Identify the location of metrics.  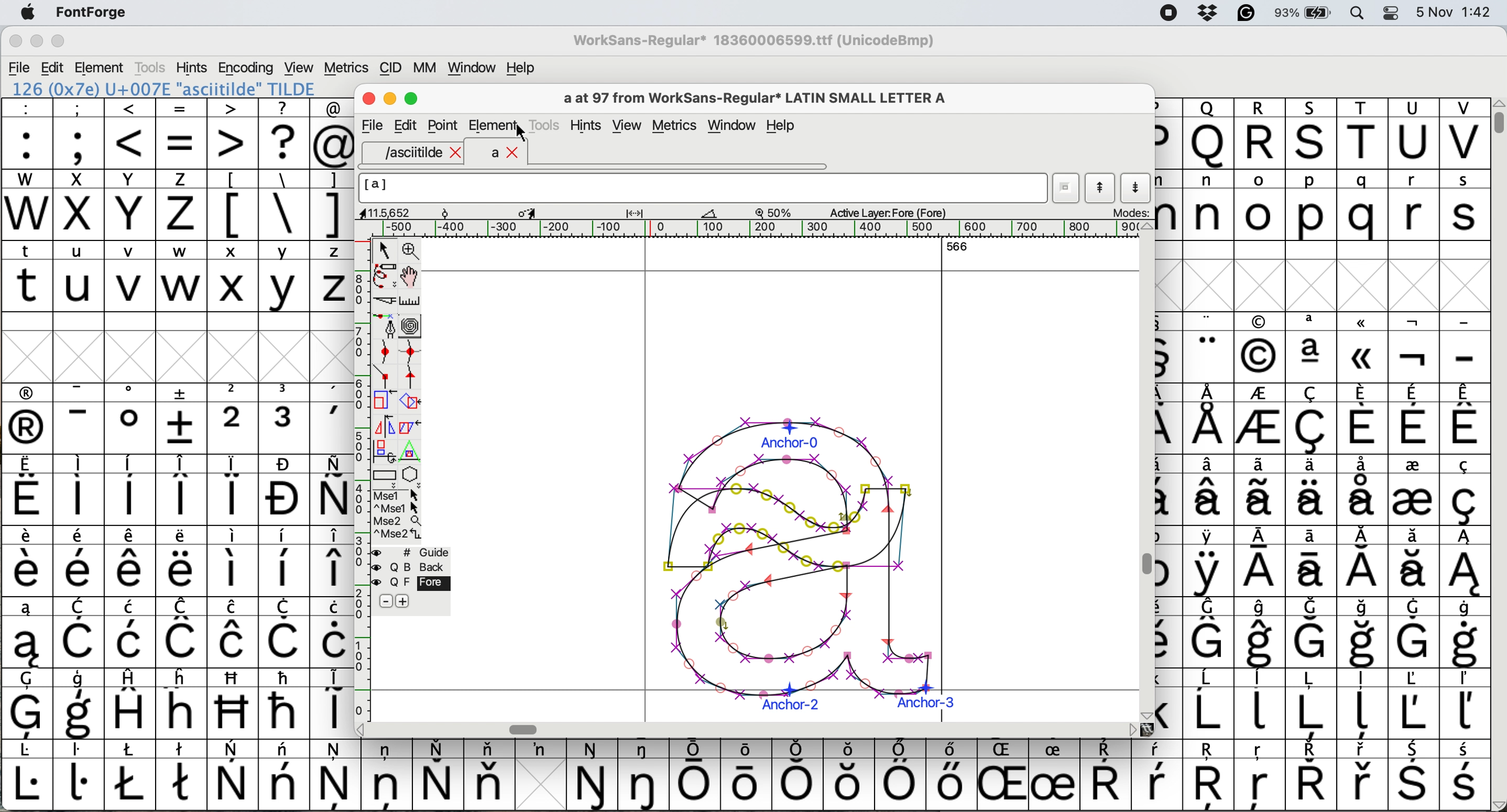
(679, 127).